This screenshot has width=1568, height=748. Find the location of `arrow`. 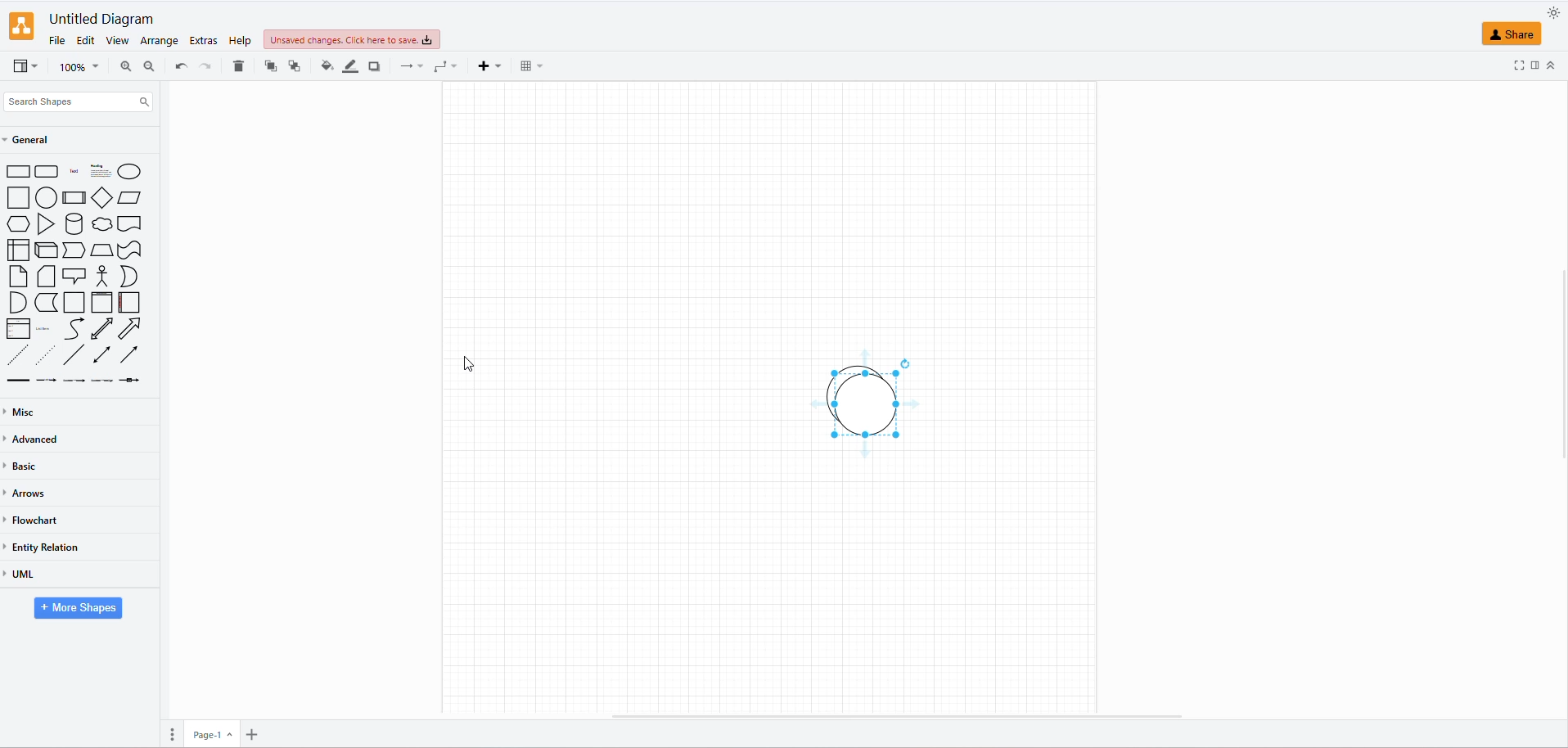

arrow is located at coordinates (95, 383).